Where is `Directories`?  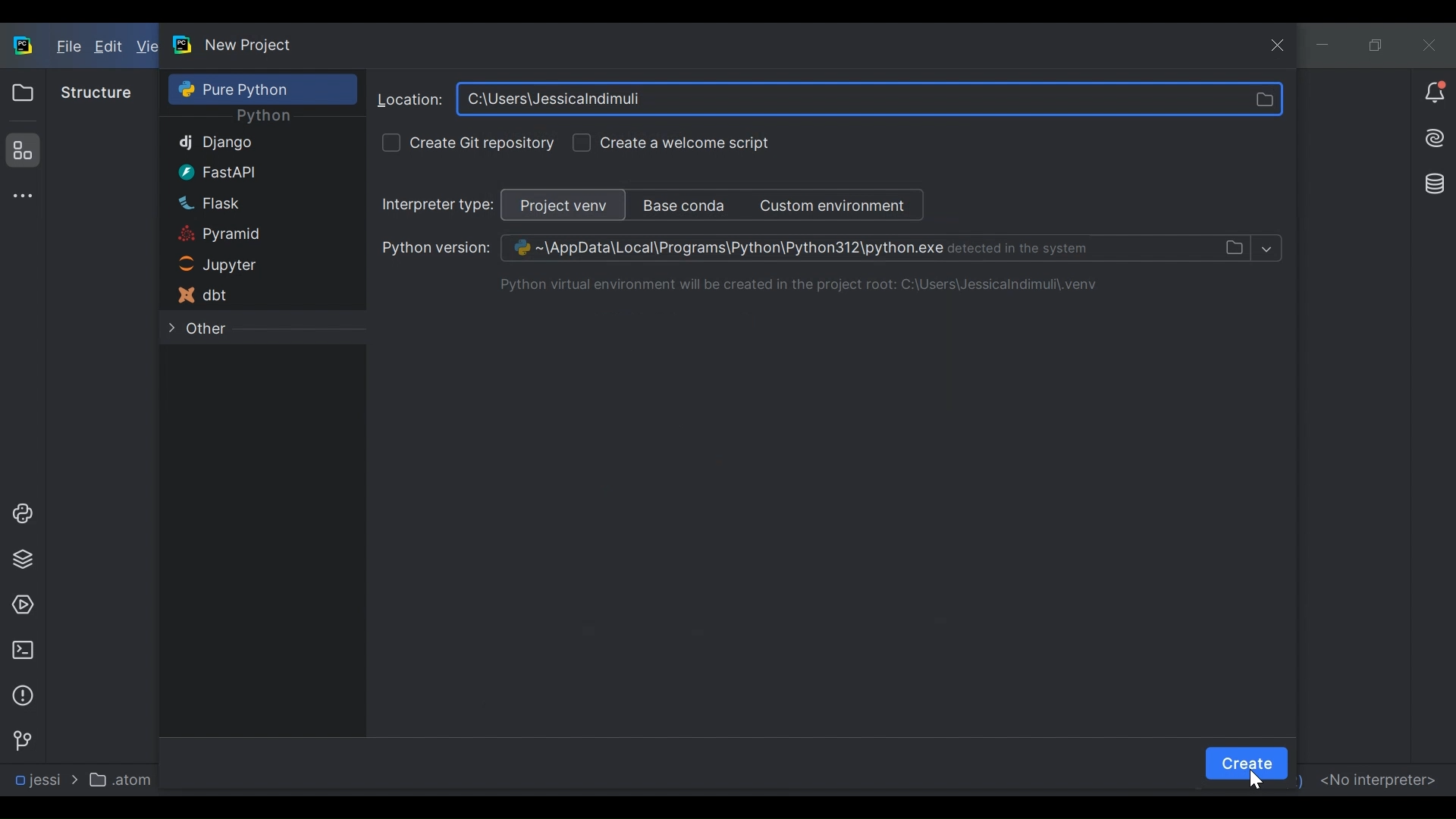
Directories is located at coordinates (877, 248).